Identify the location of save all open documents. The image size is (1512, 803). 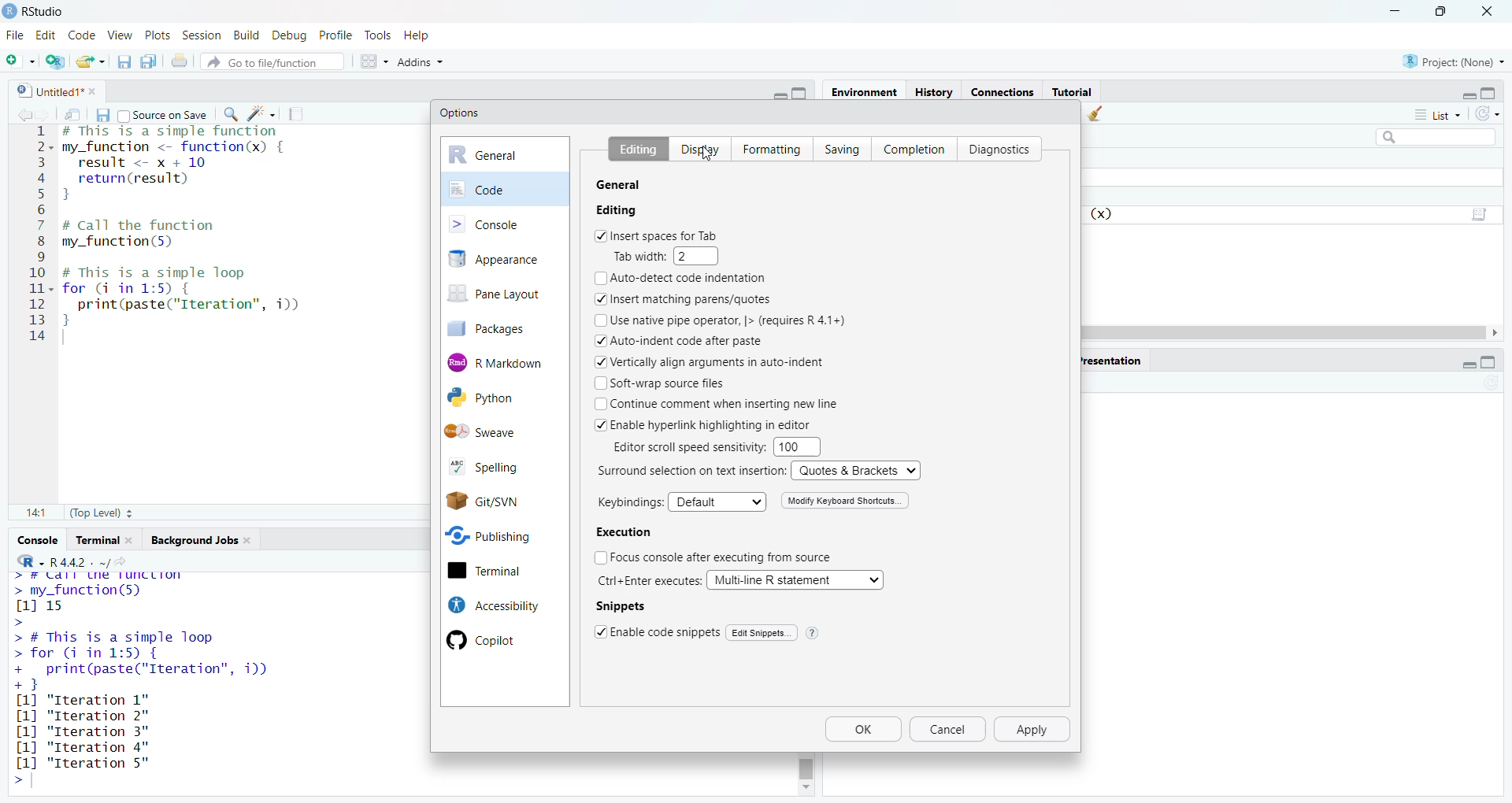
(149, 61).